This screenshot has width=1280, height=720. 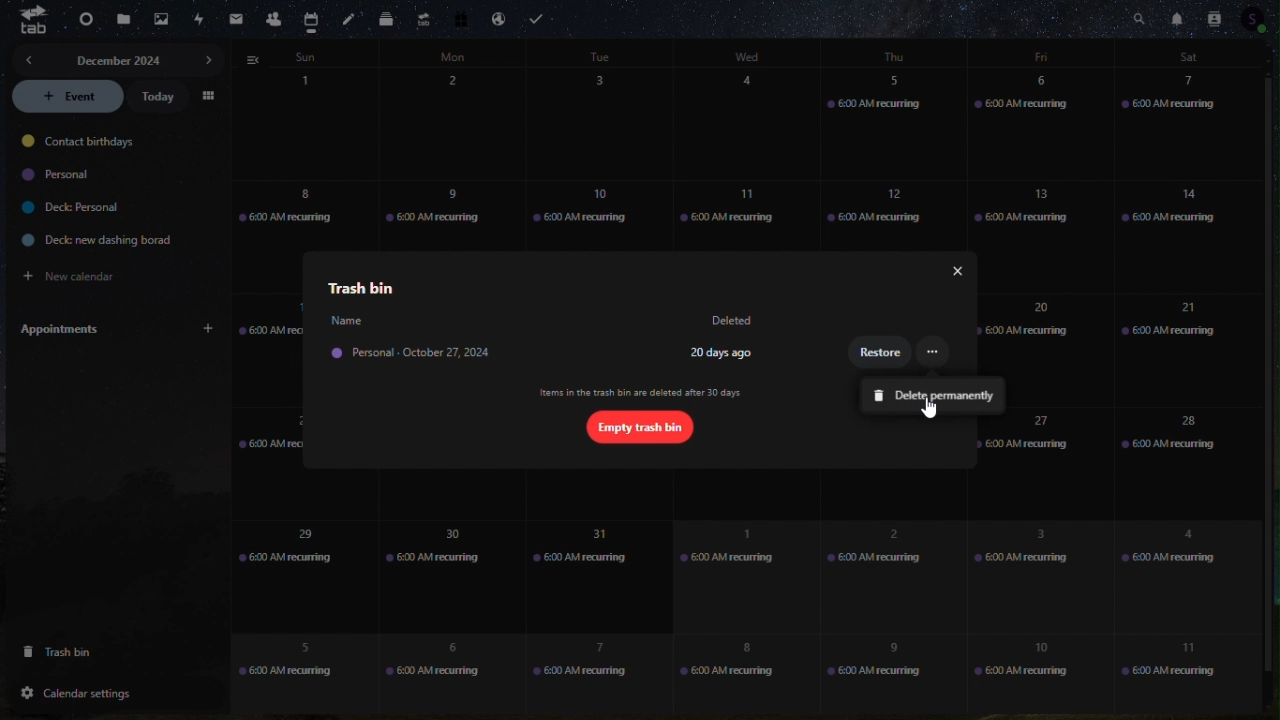 I want to click on upgrade, so click(x=422, y=18).